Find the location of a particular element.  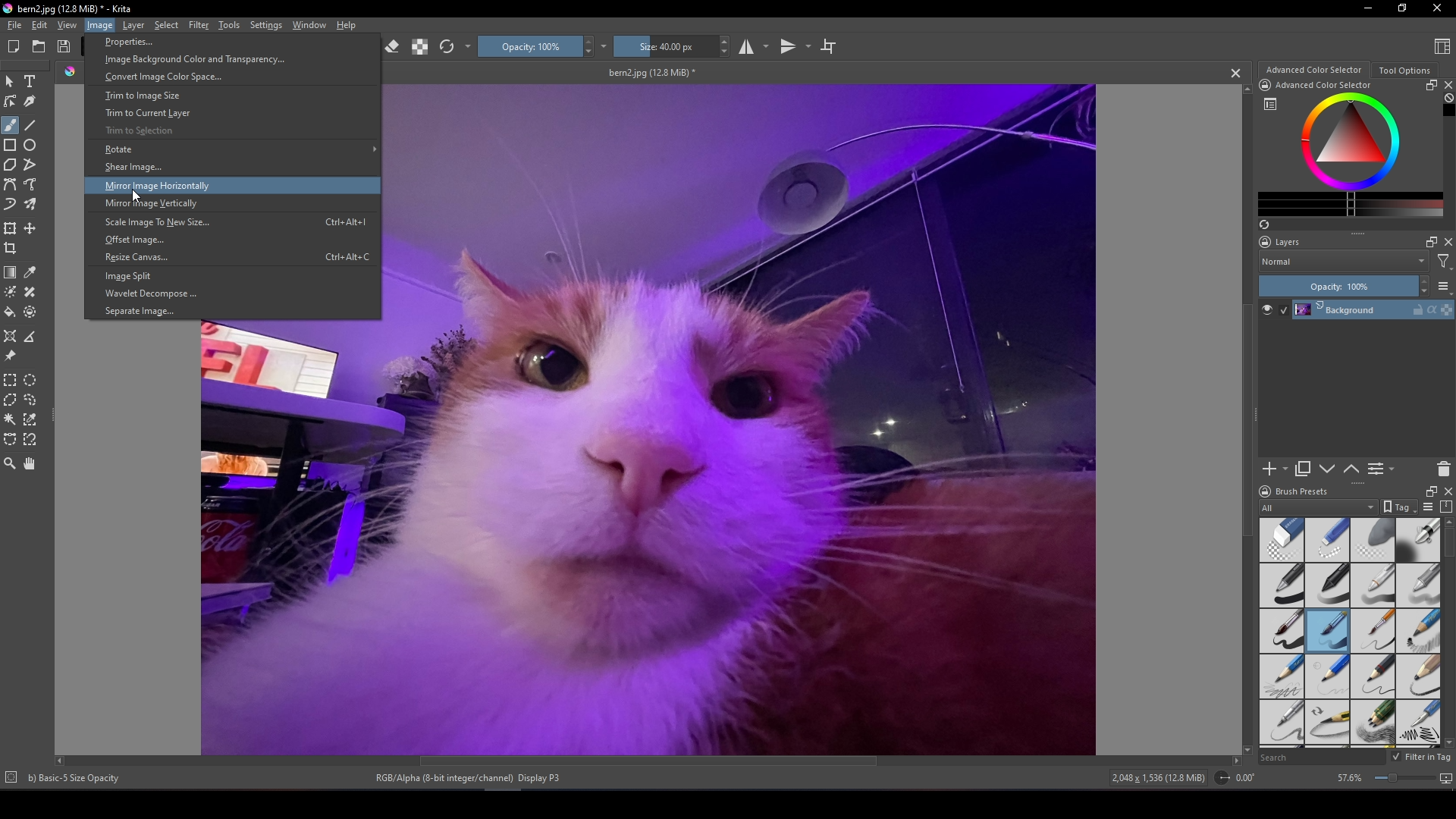

Create a list of colors from the image is located at coordinates (1264, 224).